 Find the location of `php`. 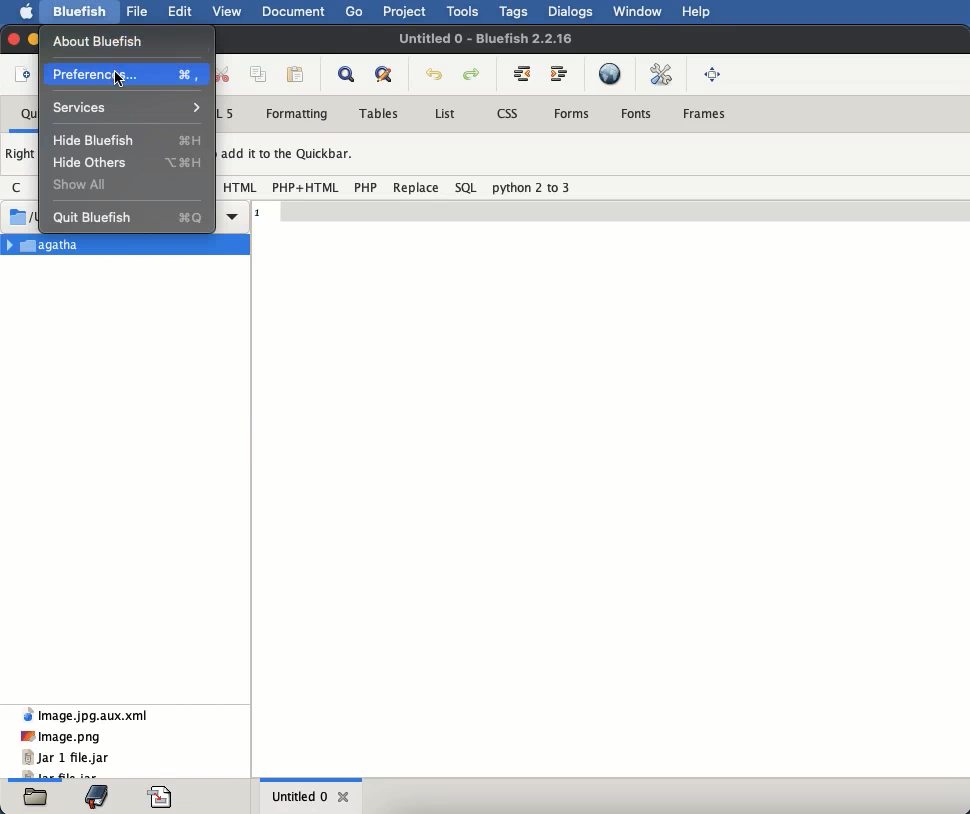

php is located at coordinates (367, 187).